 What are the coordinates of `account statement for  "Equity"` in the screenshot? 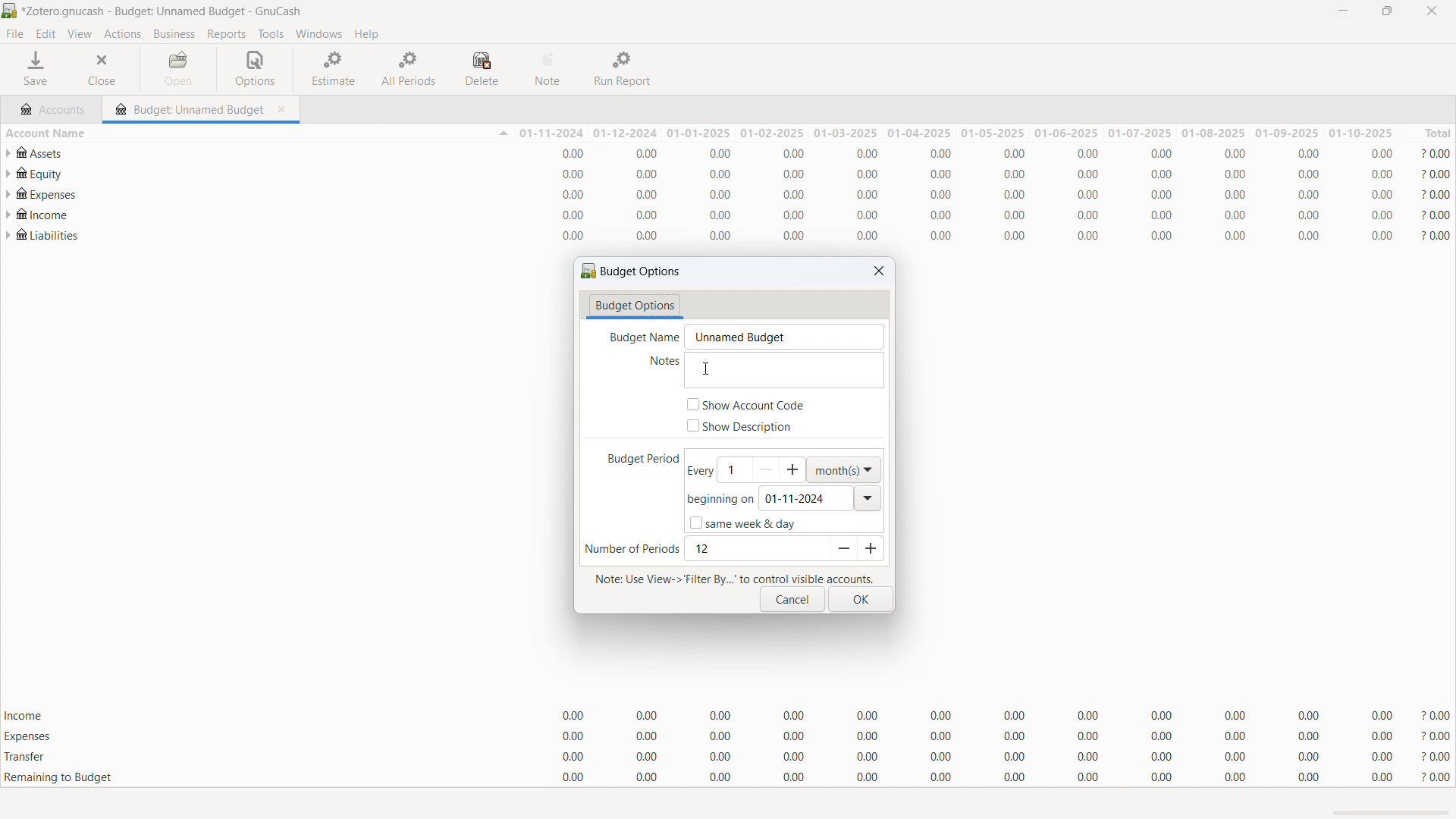 It's located at (739, 174).